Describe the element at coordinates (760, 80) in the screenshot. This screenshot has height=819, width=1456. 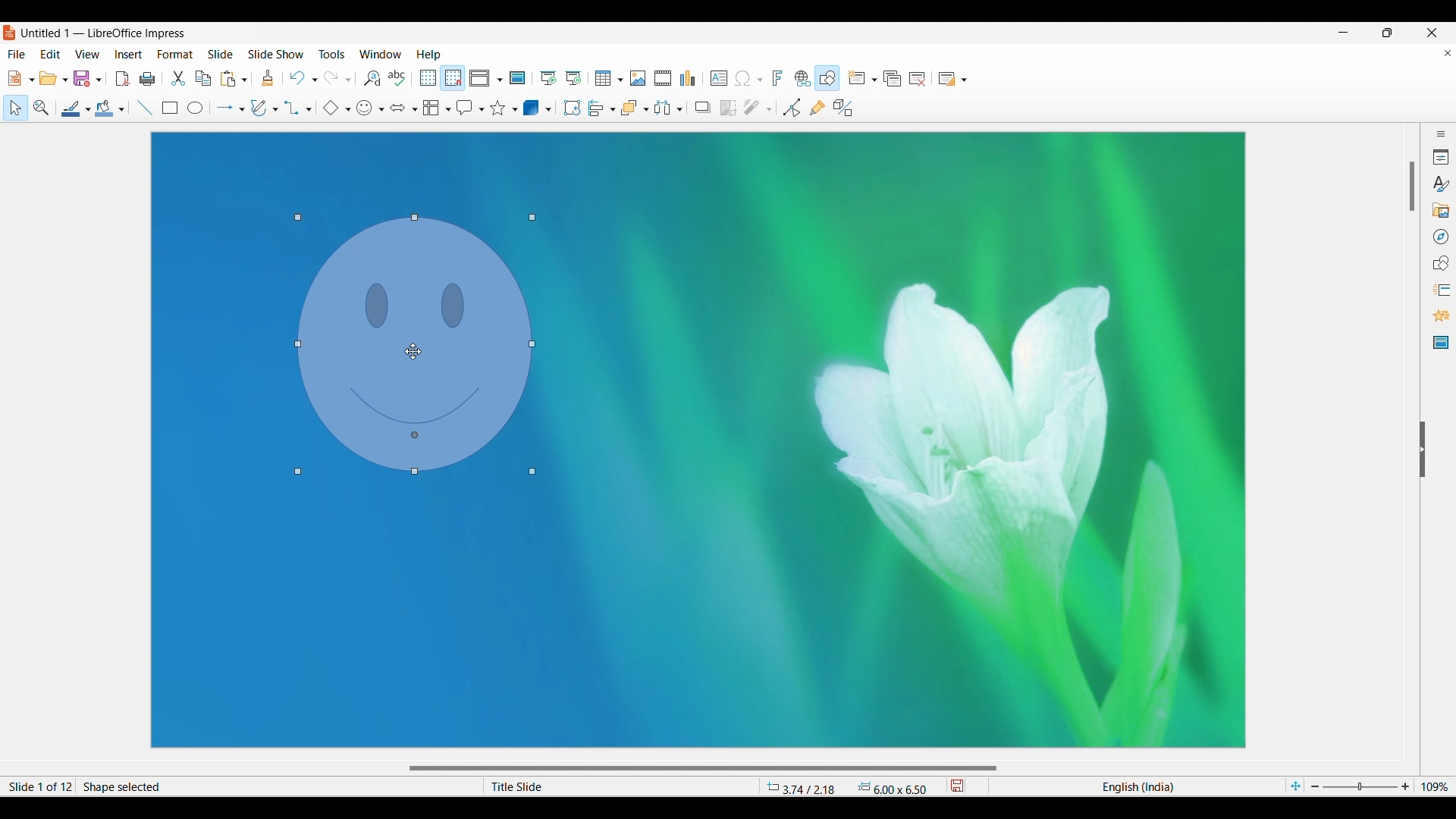
I see `Special character options` at that location.